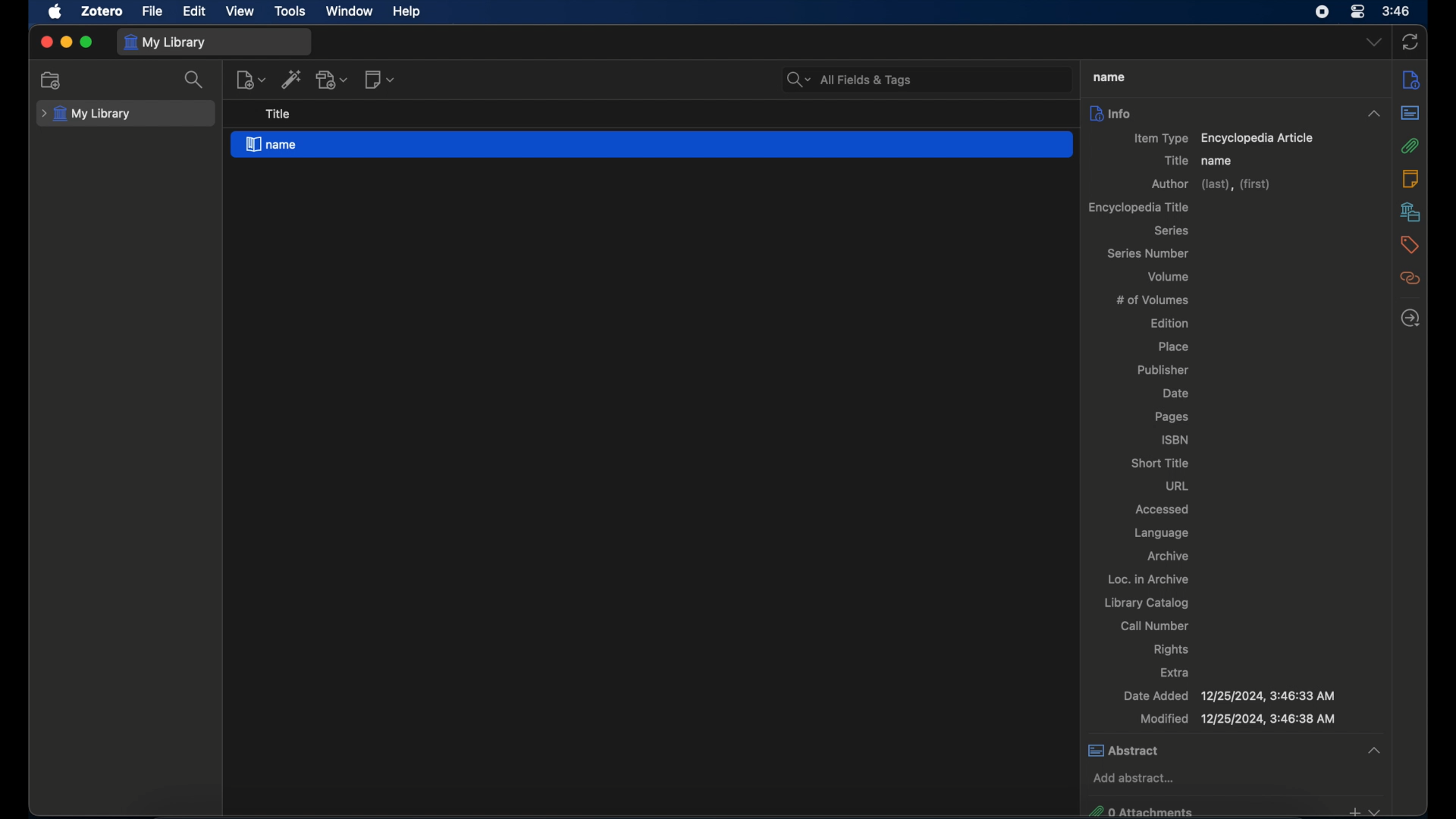 Image resolution: width=1456 pixels, height=819 pixels. I want to click on name, so click(1218, 162).